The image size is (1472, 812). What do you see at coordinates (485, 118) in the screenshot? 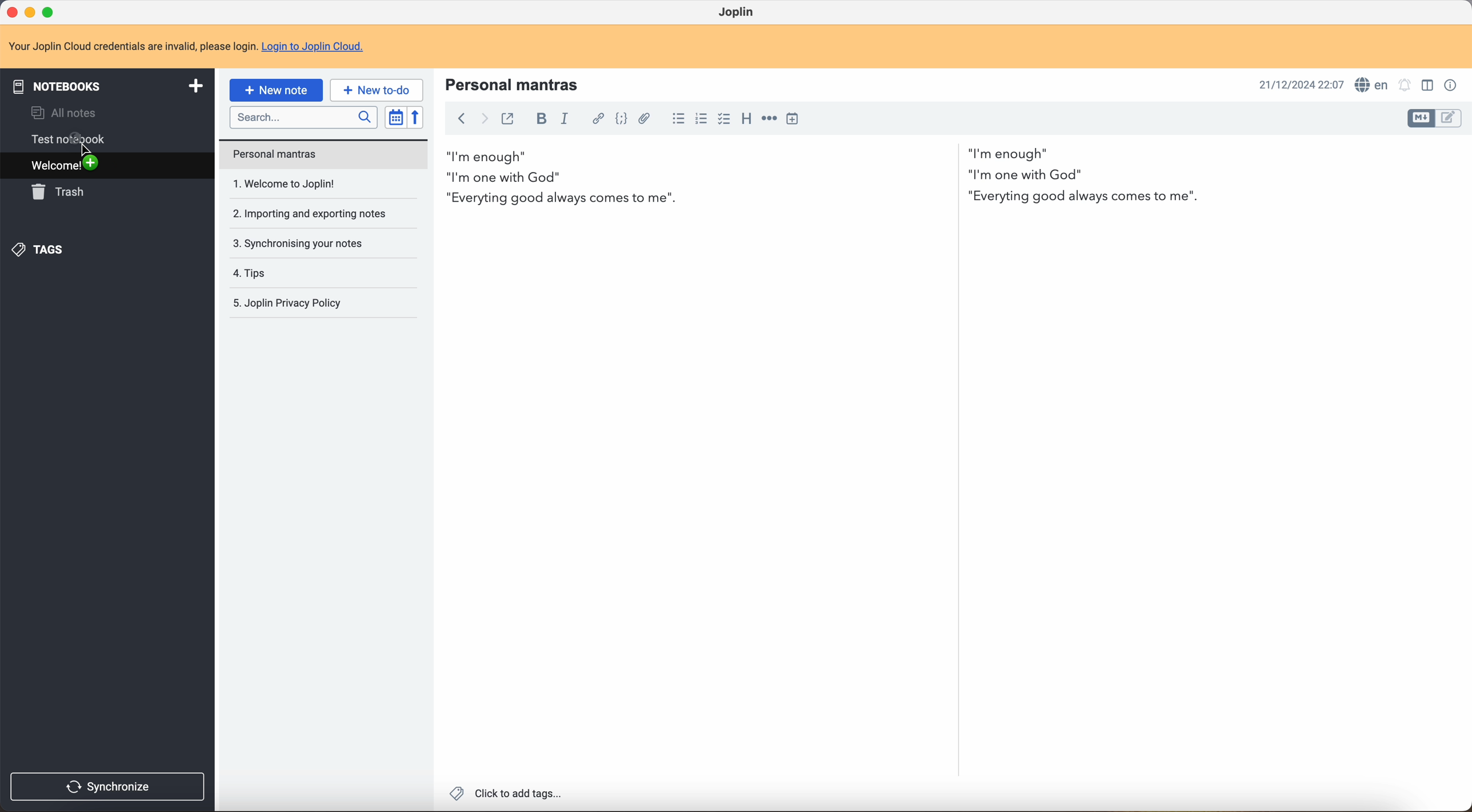
I see `foward` at bounding box center [485, 118].